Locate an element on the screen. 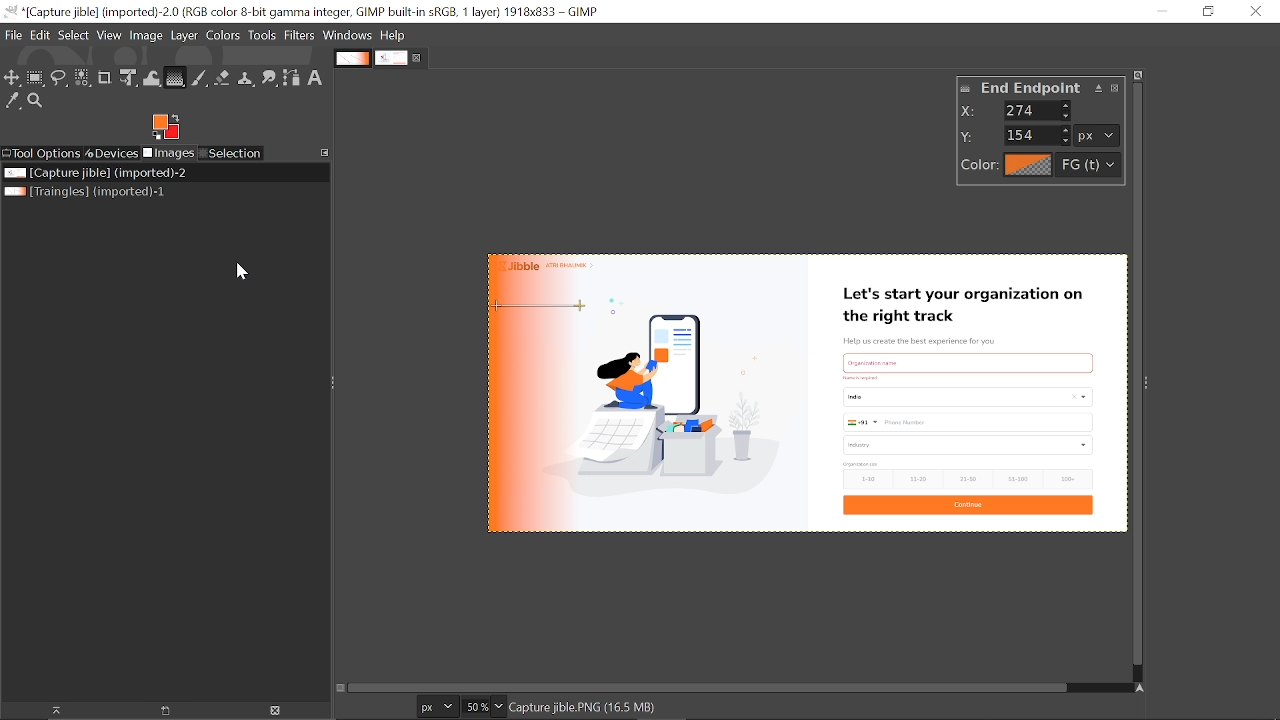 The image size is (1280, 720). Current zoom is located at coordinates (474, 708).